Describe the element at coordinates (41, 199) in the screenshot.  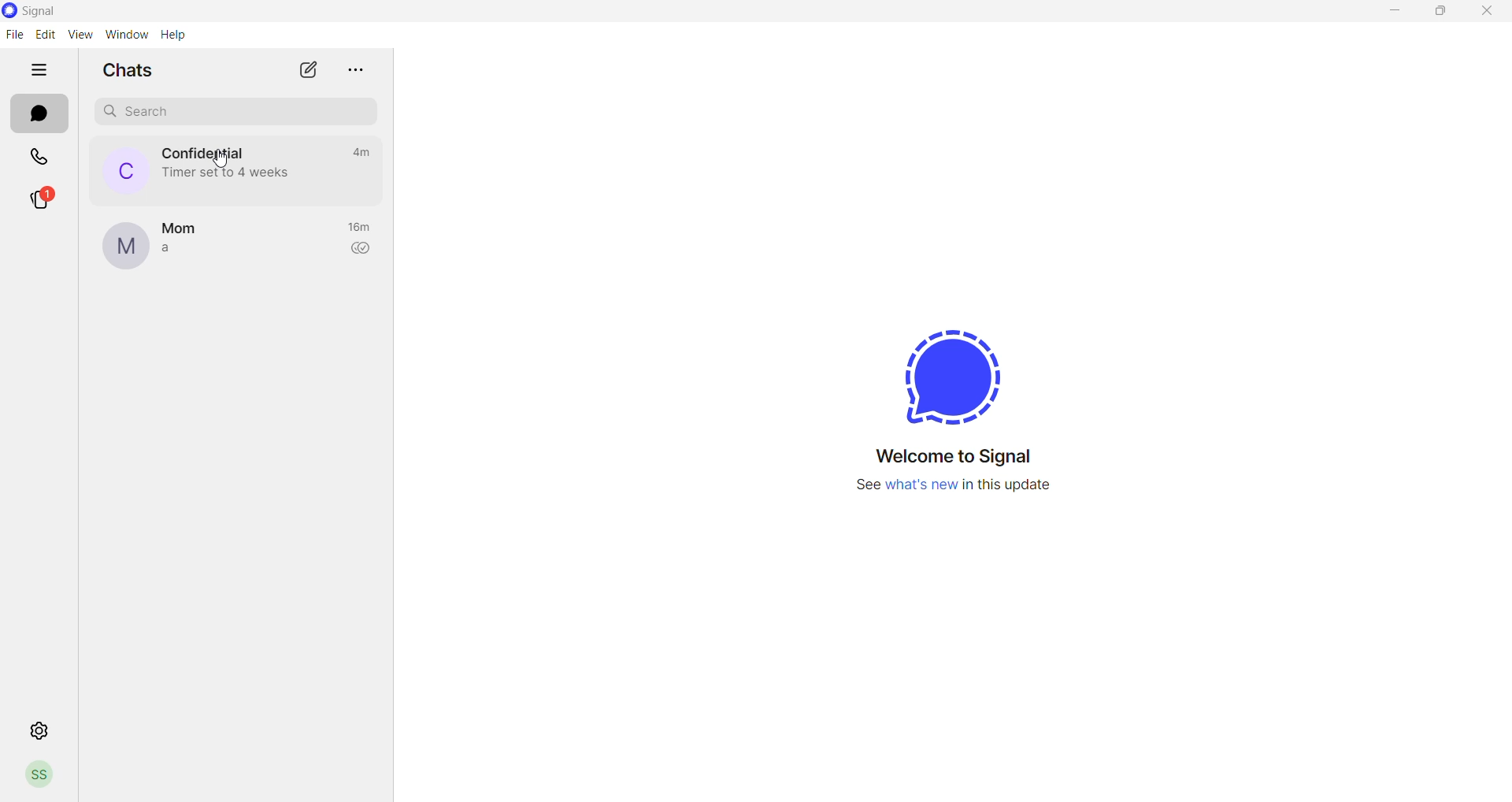
I see `stories` at that location.